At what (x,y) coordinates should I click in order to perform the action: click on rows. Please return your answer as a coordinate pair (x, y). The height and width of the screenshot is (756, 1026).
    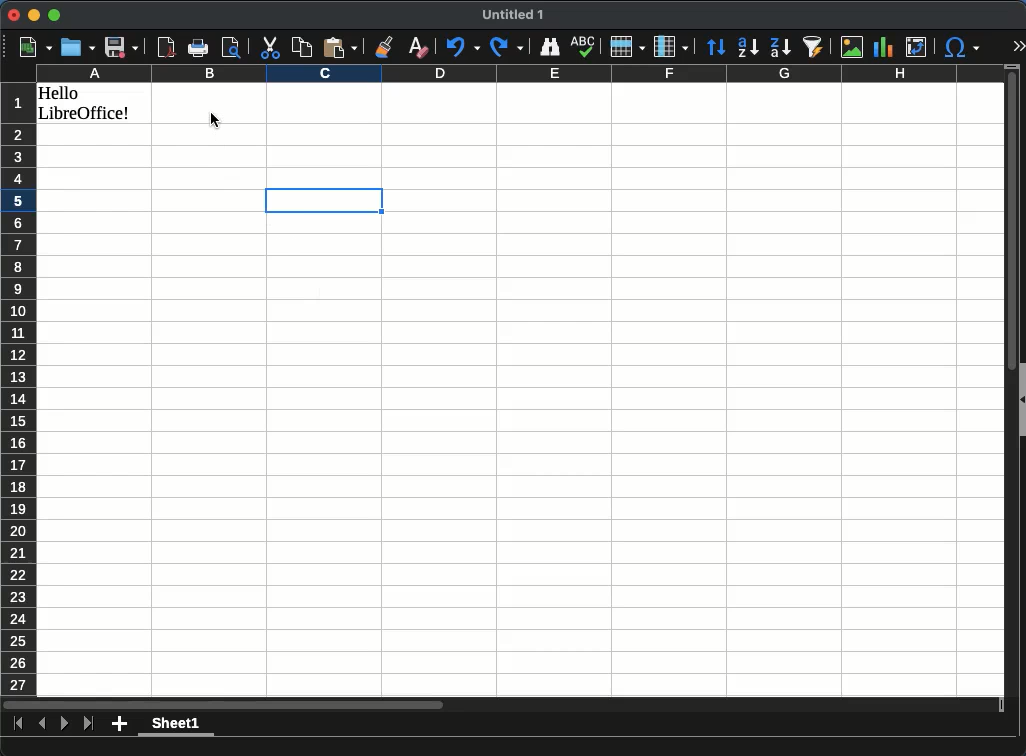
    Looking at the image, I should click on (628, 45).